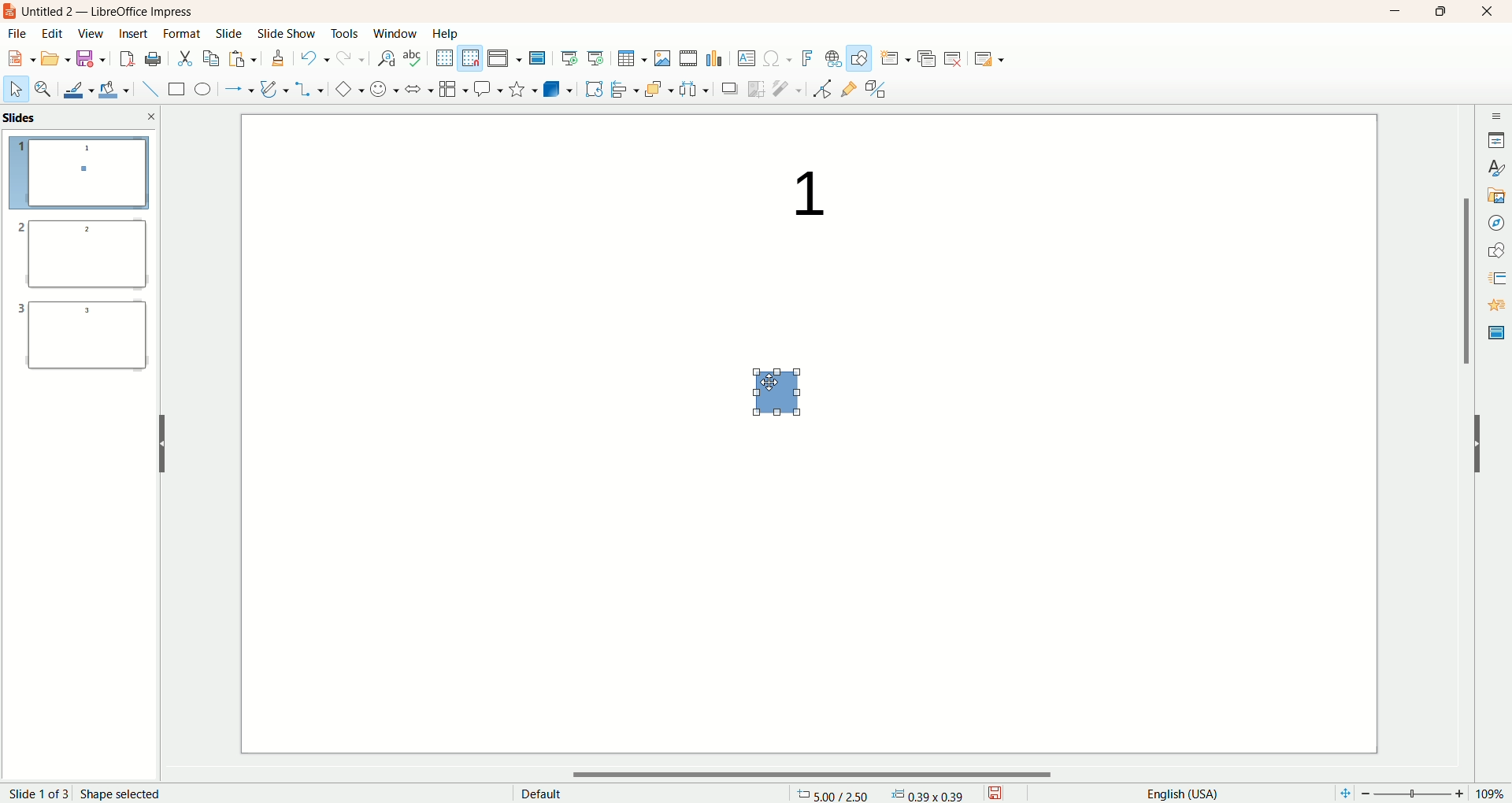 The width and height of the screenshot is (1512, 803). Describe the element at coordinates (818, 775) in the screenshot. I see `horizontal scroll bar` at that location.